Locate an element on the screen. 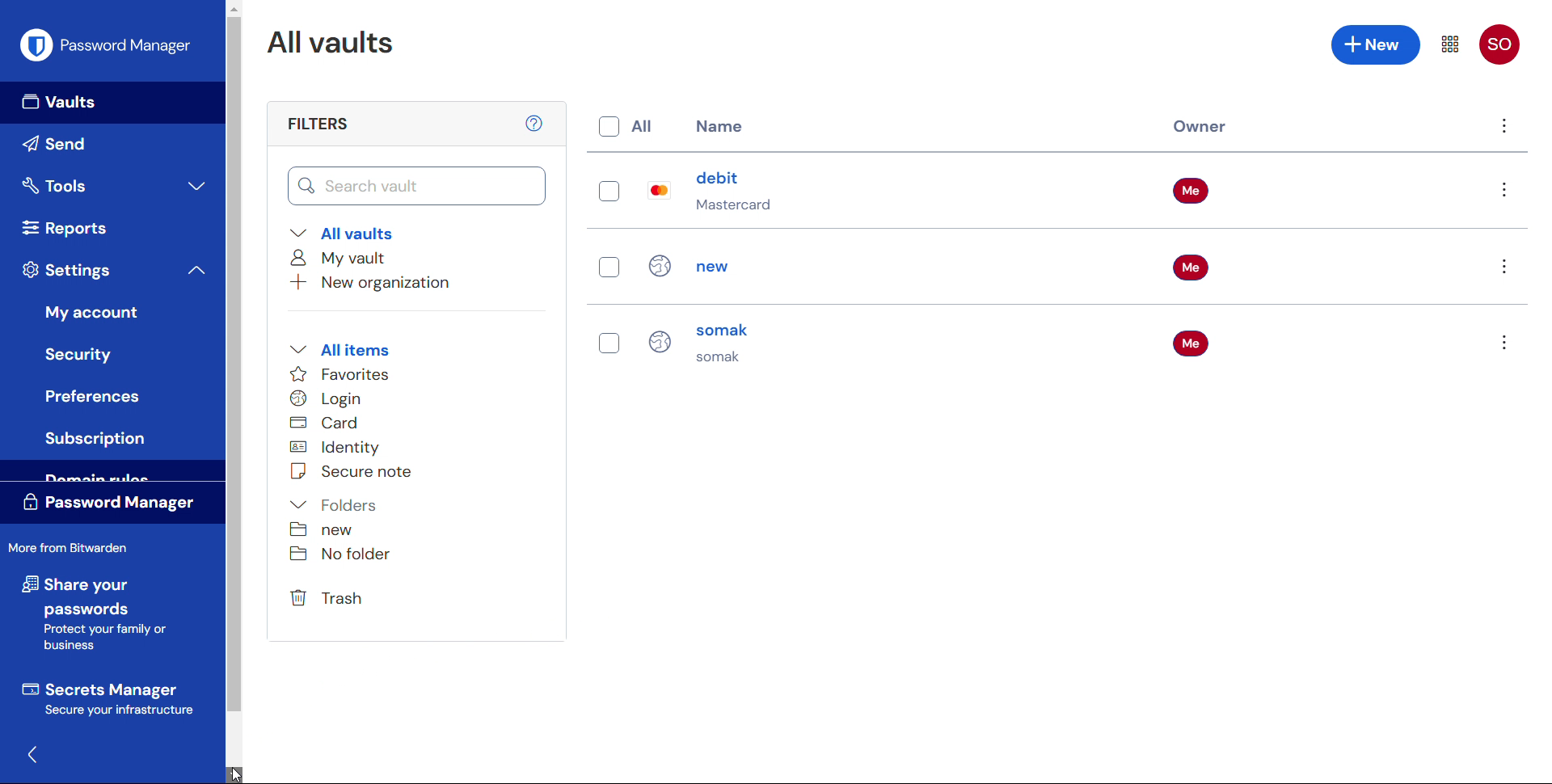 The width and height of the screenshot is (1552, 784). Scroll up  is located at coordinates (233, 7).